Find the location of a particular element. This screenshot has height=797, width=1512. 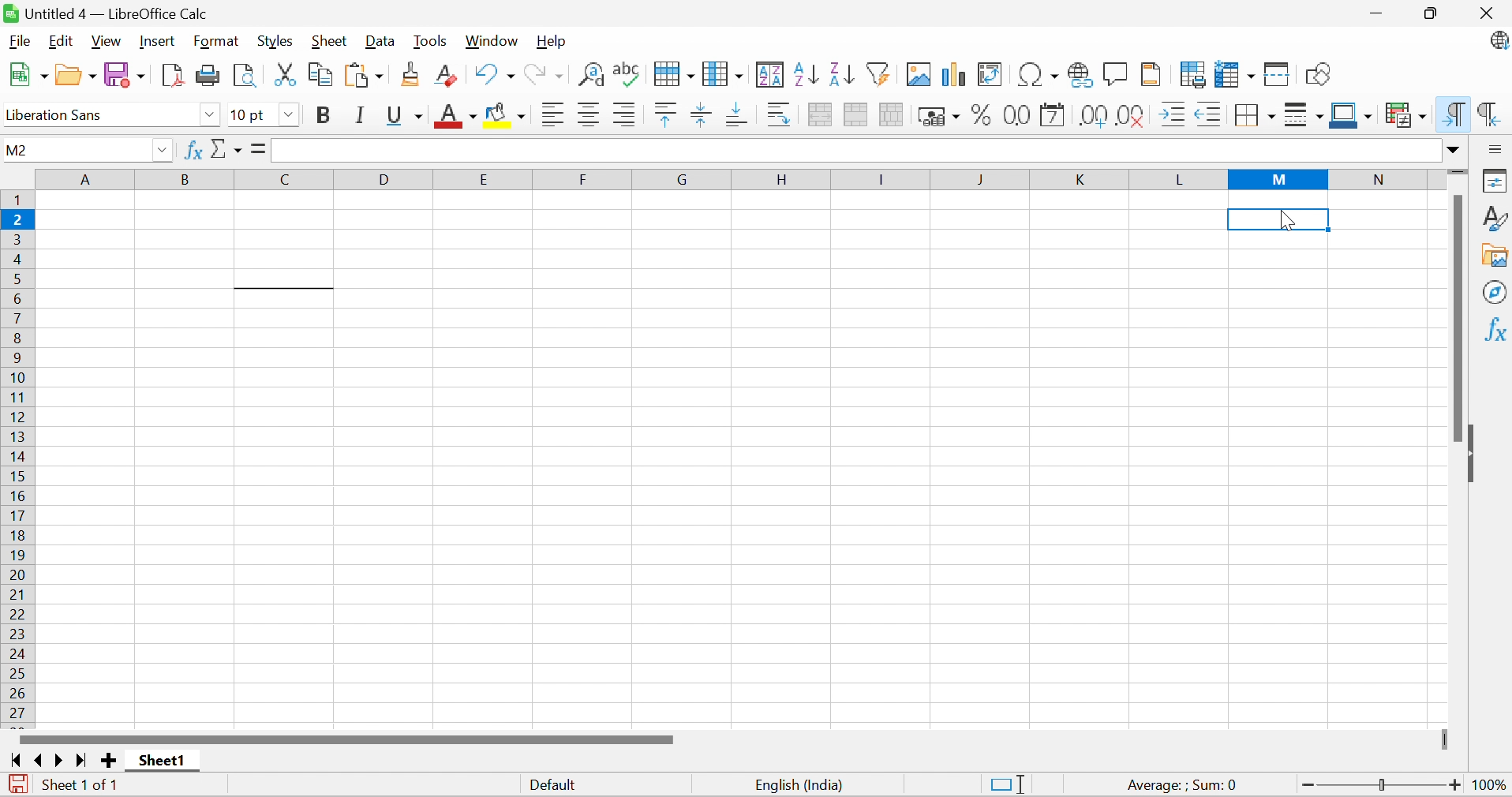

Input line is located at coordinates (856, 151).